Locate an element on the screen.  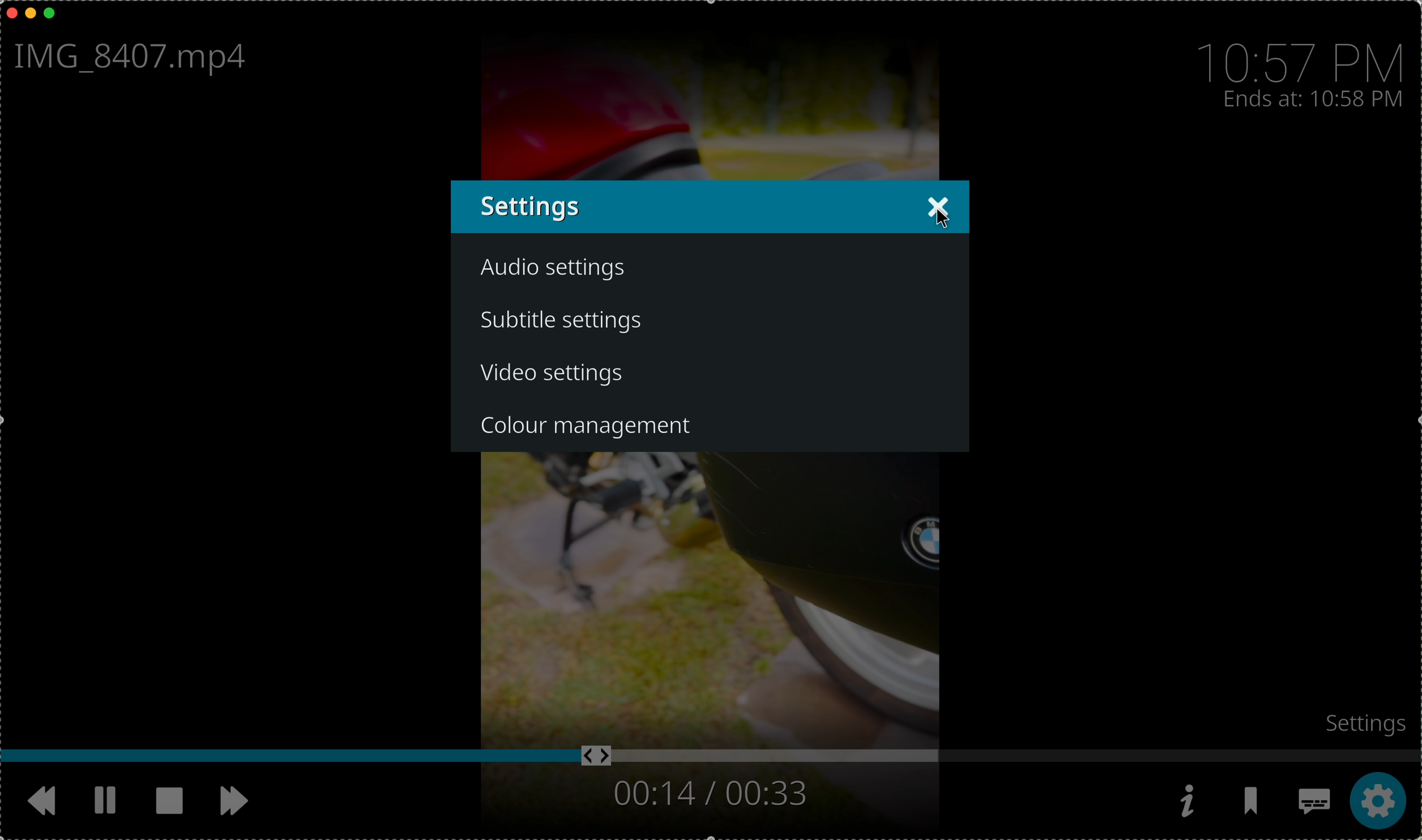
IMG_8407.mp4 is located at coordinates (136, 59).